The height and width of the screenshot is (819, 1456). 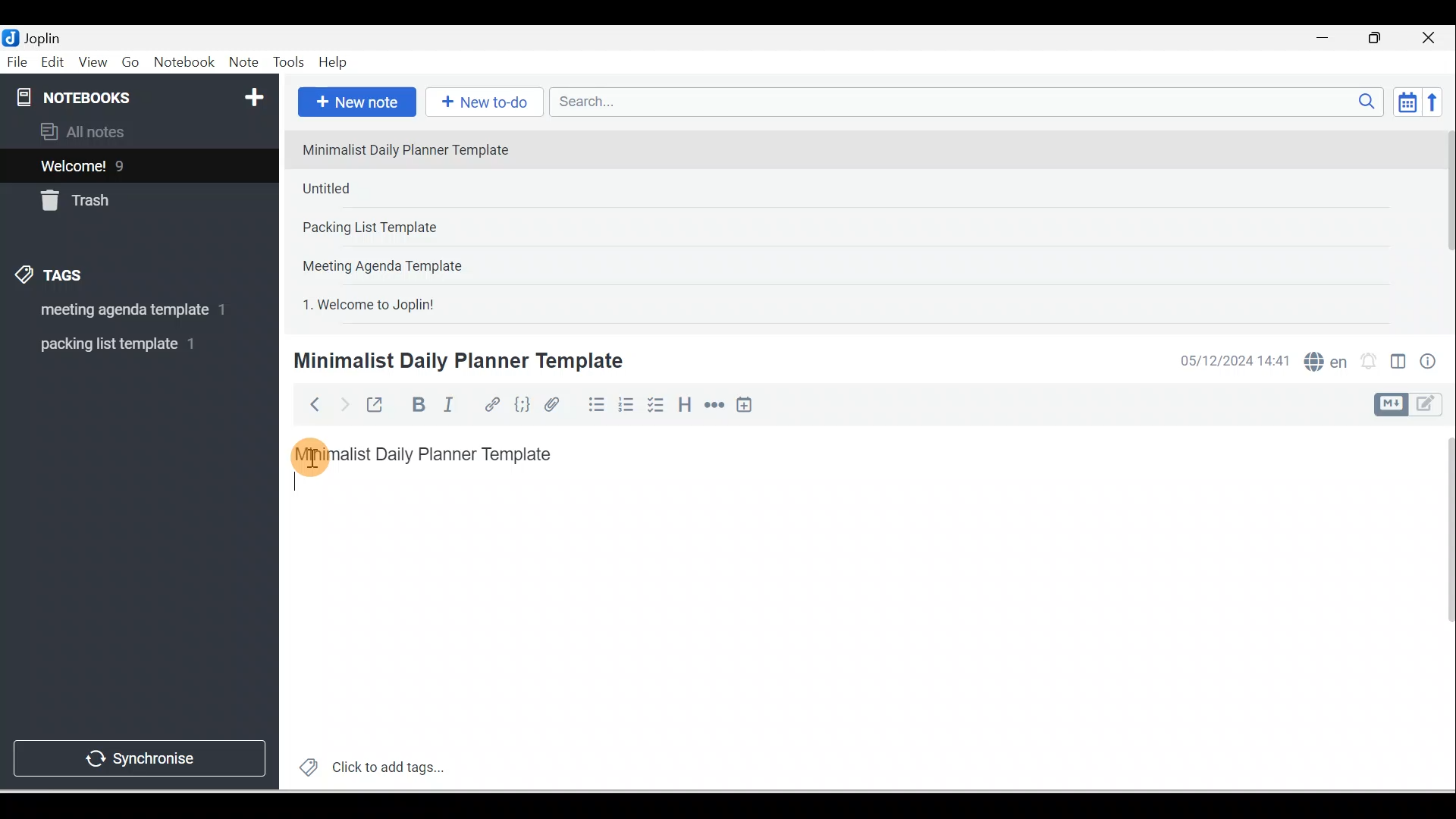 What do you see at coordinates (654, 405) in the screenshot?
I see `Checkbox` at bounding box center [654, 405].